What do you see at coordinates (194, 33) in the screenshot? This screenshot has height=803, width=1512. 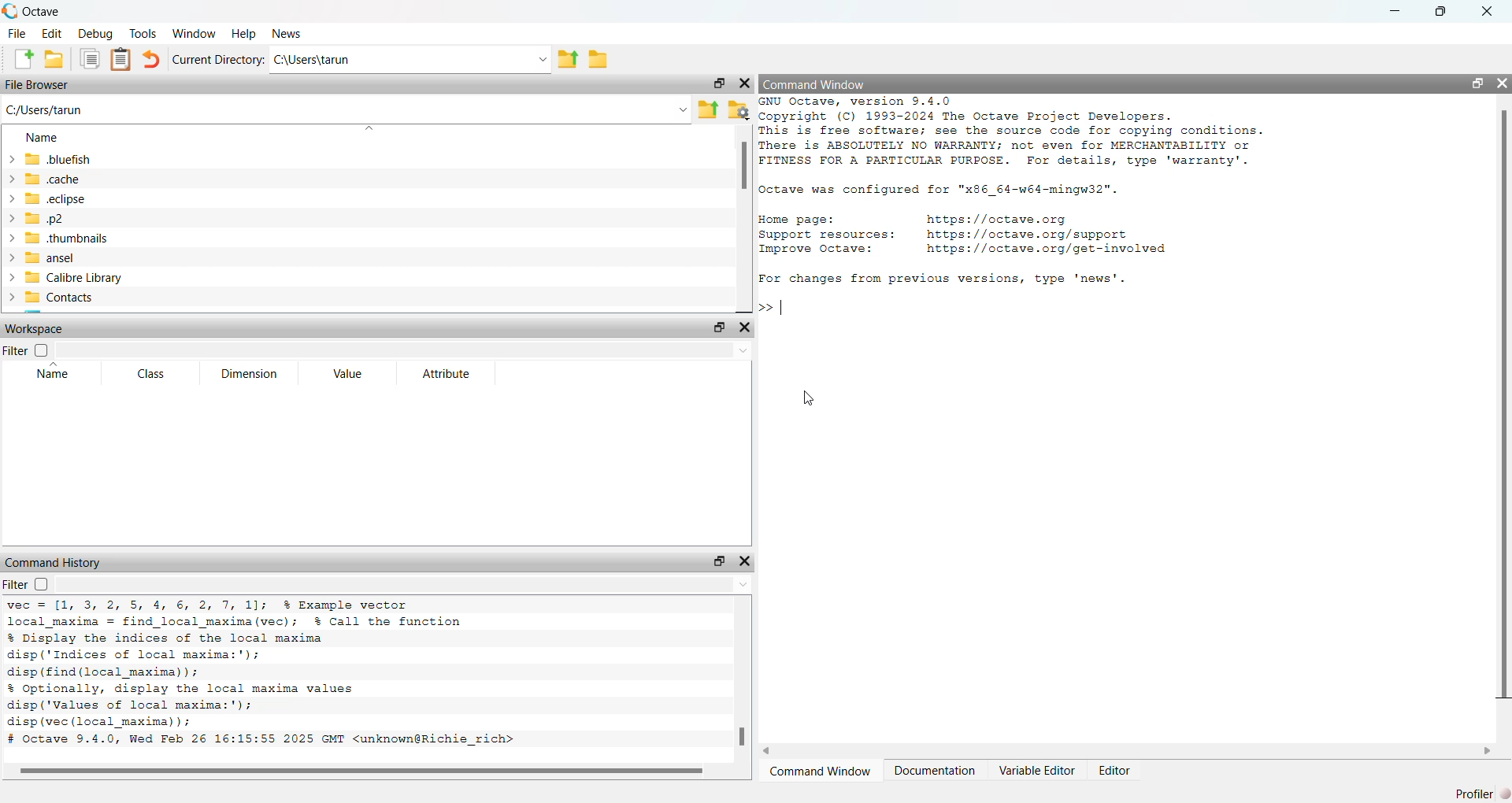 I see `Window` at bounding box center [194, 33].